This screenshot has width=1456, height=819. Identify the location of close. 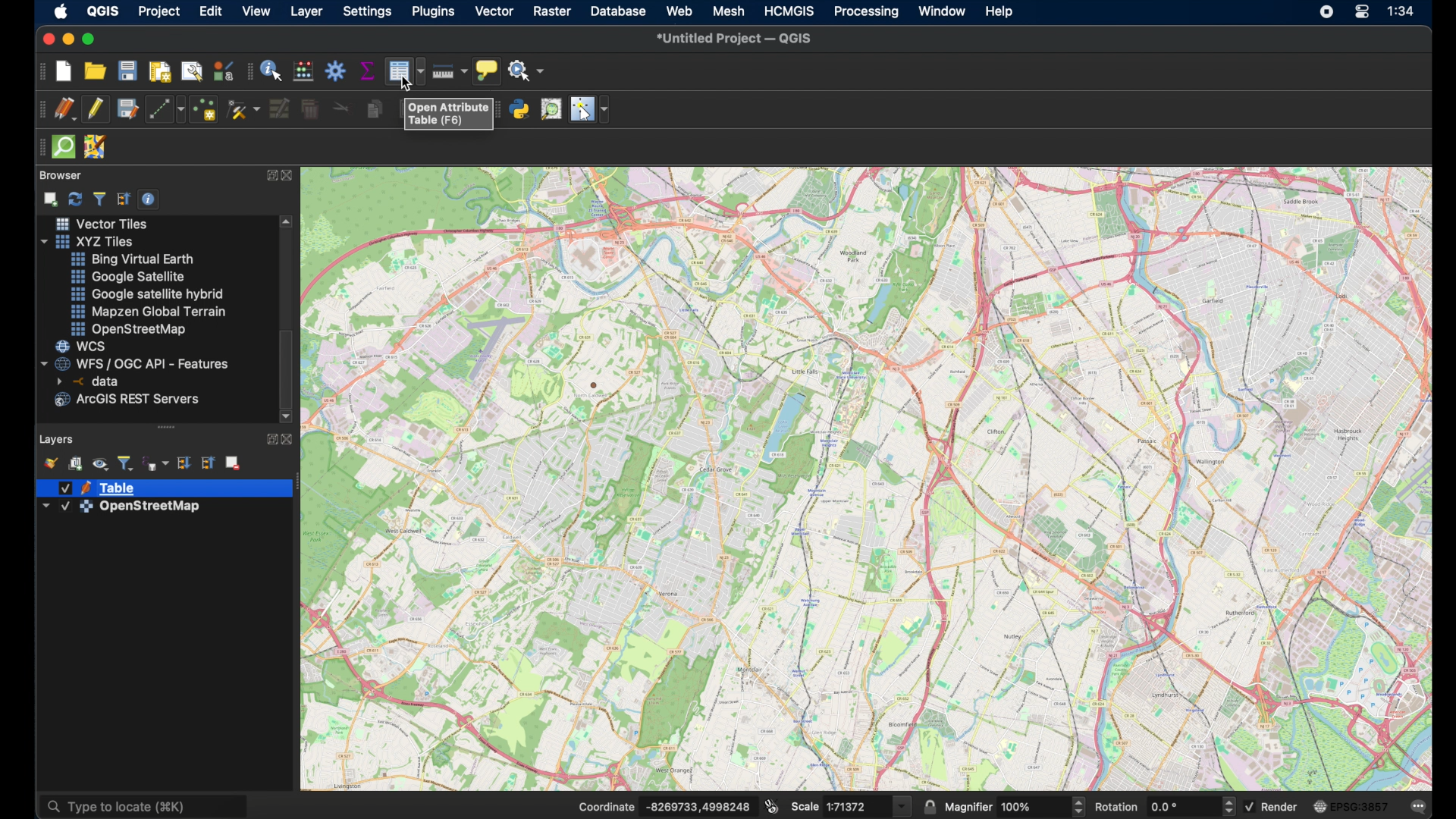
(44, 39).